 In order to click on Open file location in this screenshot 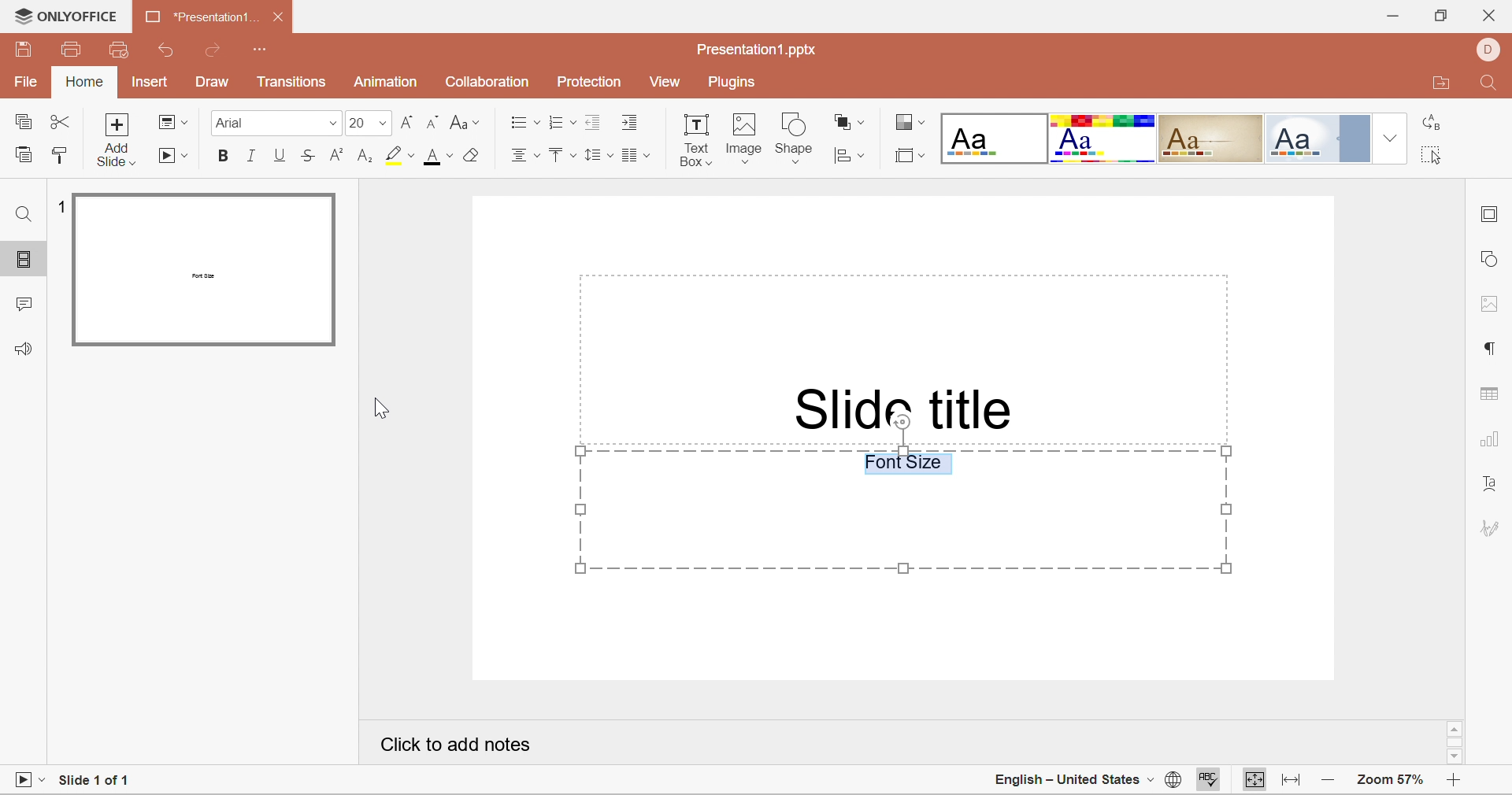, I will do `click(1443, 83)`.